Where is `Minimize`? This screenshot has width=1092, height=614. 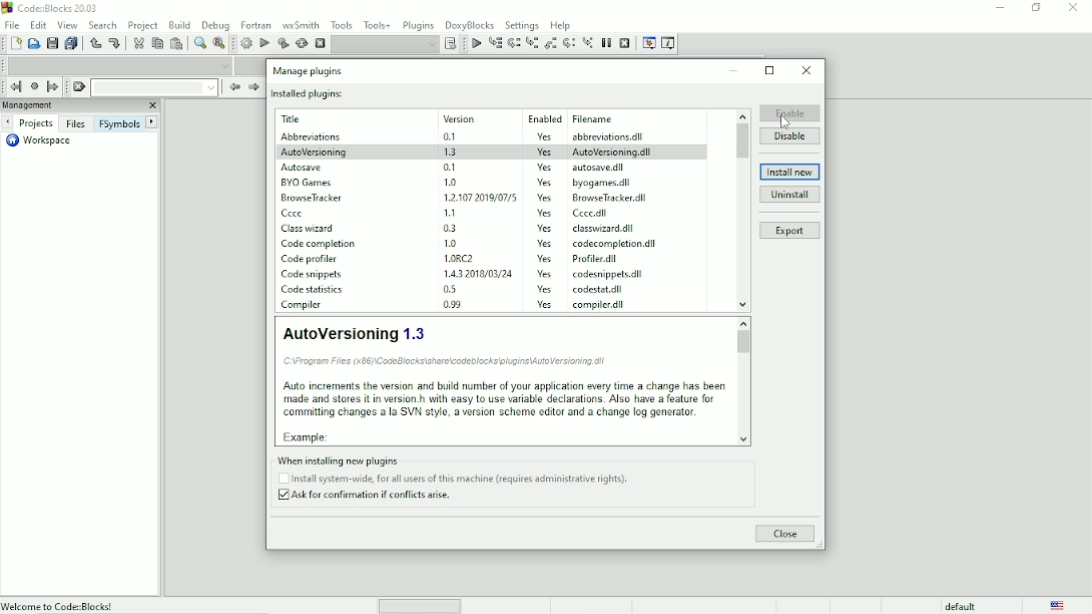 Minimize is located at coordinates (735, 71).